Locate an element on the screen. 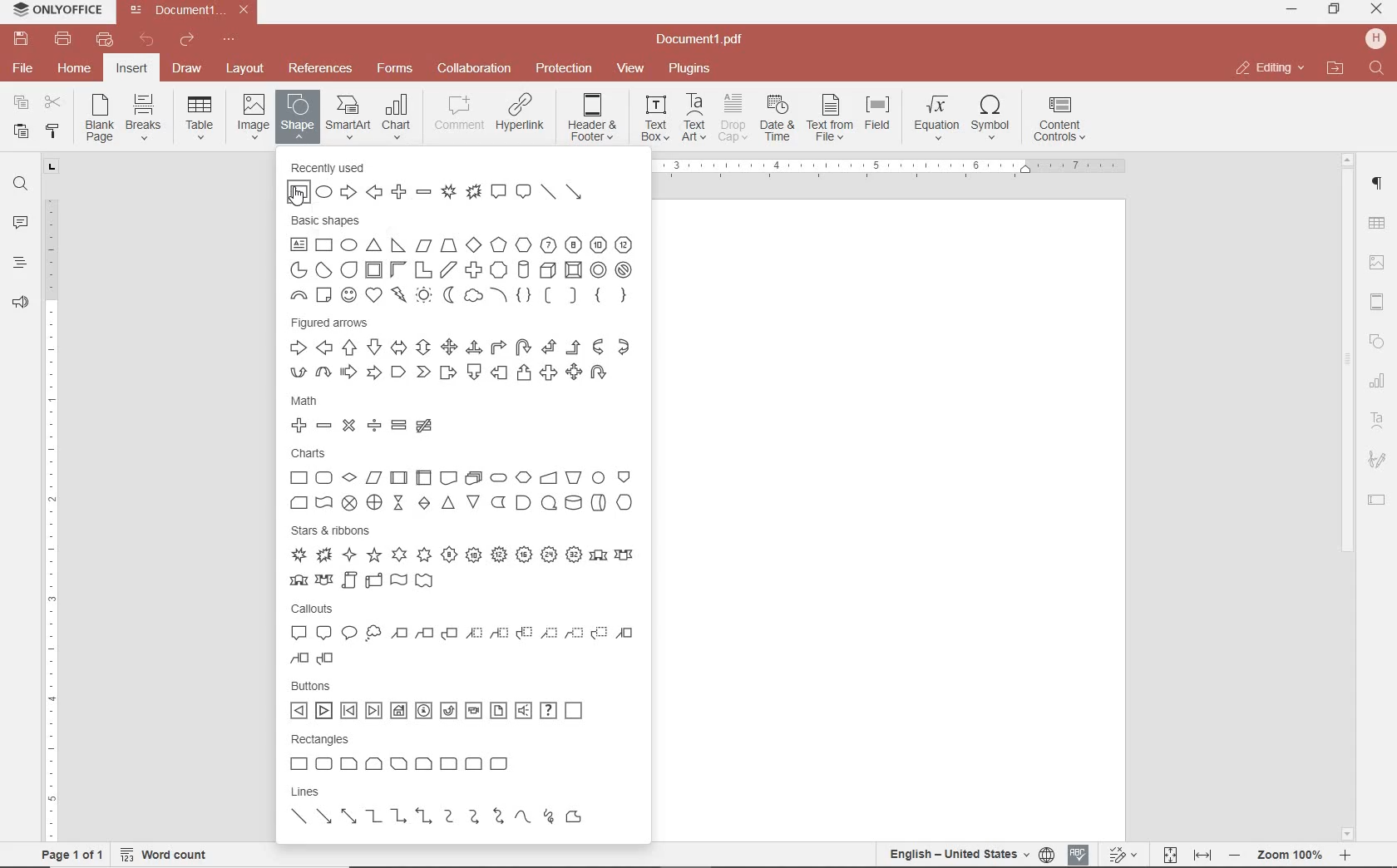 The width and height of the screenshot is (1397, 868). RECENTLY USED is located at coordinates (448, 183).